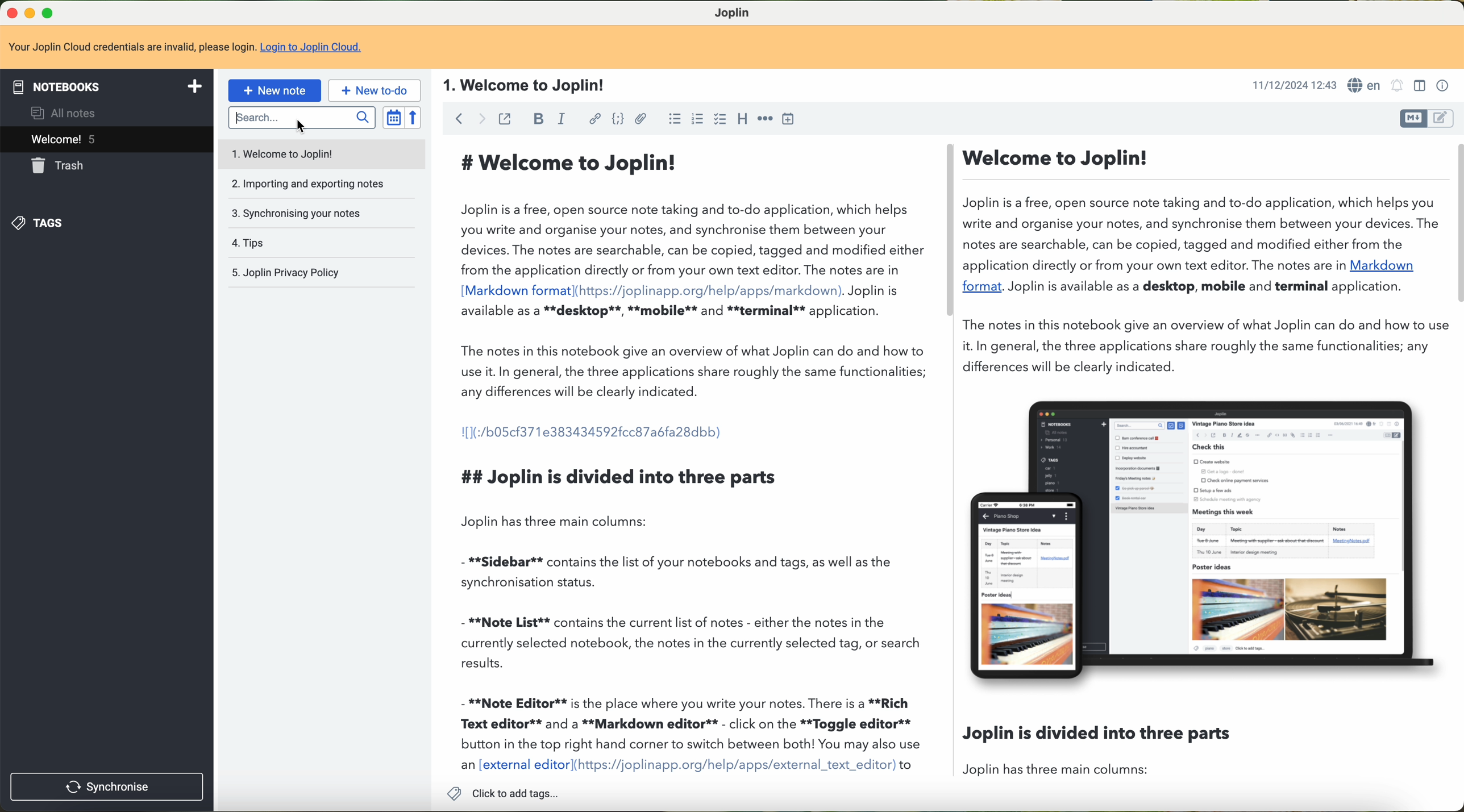  What do you see at coordinates (479, 118) in the screenshot?
I see `navigate foward arrow` at bounding box center [479, 118].